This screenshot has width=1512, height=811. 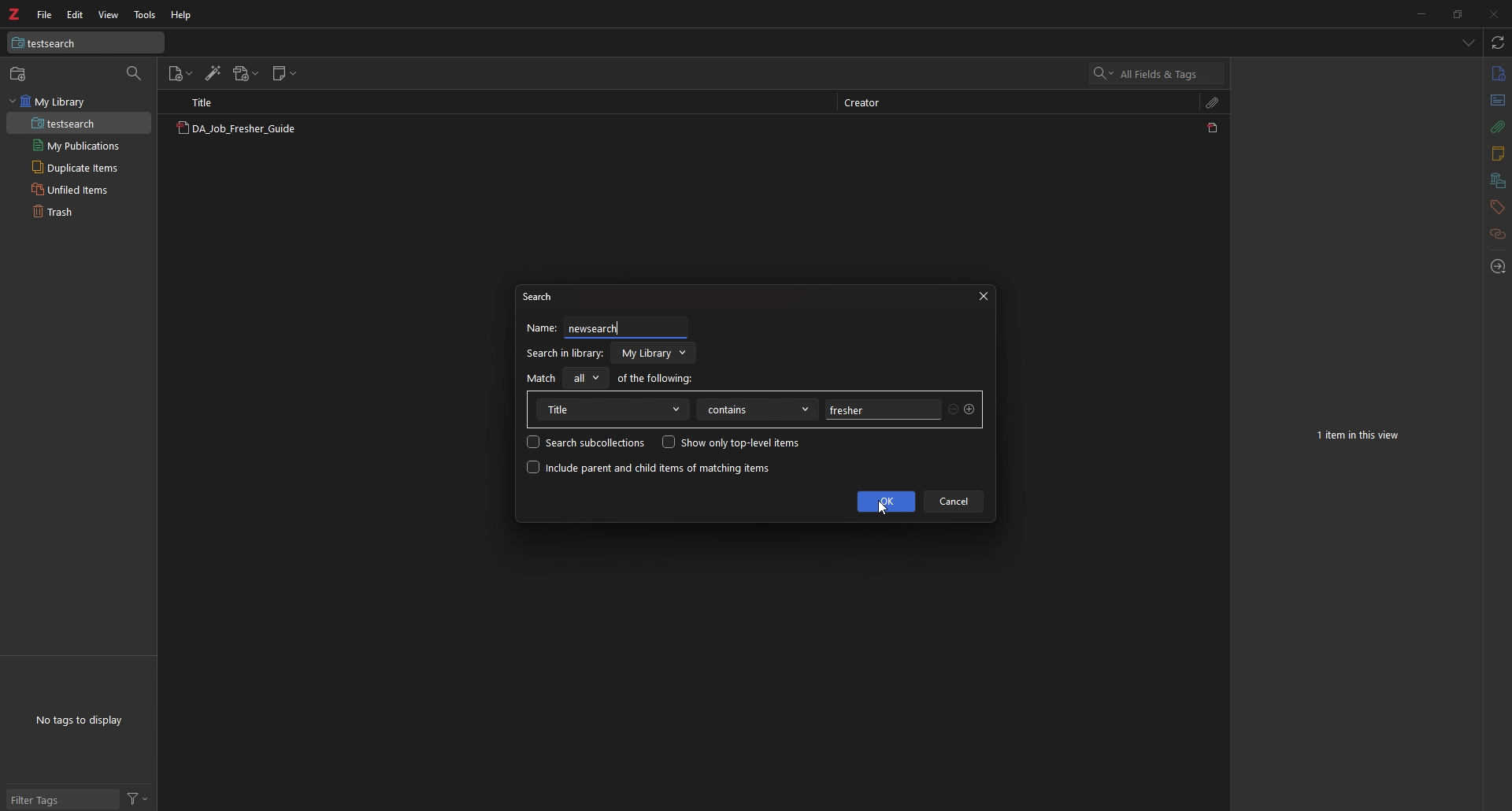 What do you see at coordinates (983, 297) in the screenshot?
I see `close` at bounding box center [983, 297].